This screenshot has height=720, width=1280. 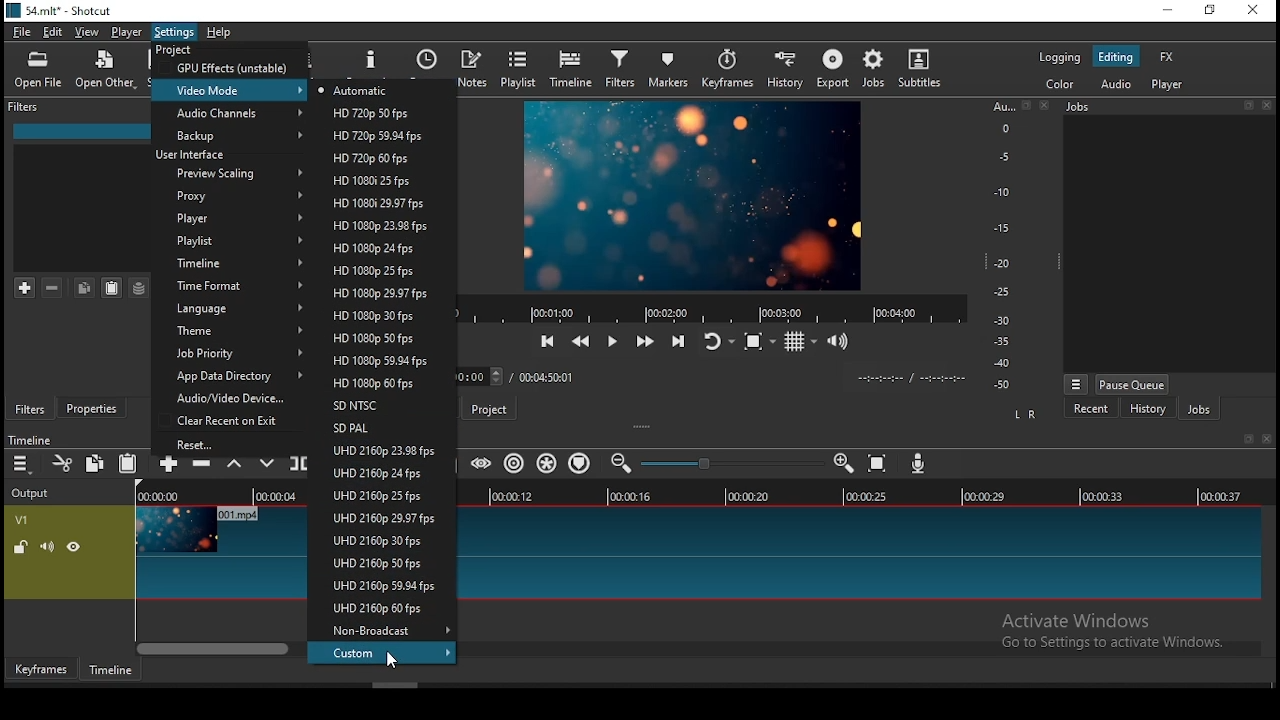 What do you see at coordinates (377, 225) in the screenshot?
I see `resolution option` at bounding box center [377, 225].